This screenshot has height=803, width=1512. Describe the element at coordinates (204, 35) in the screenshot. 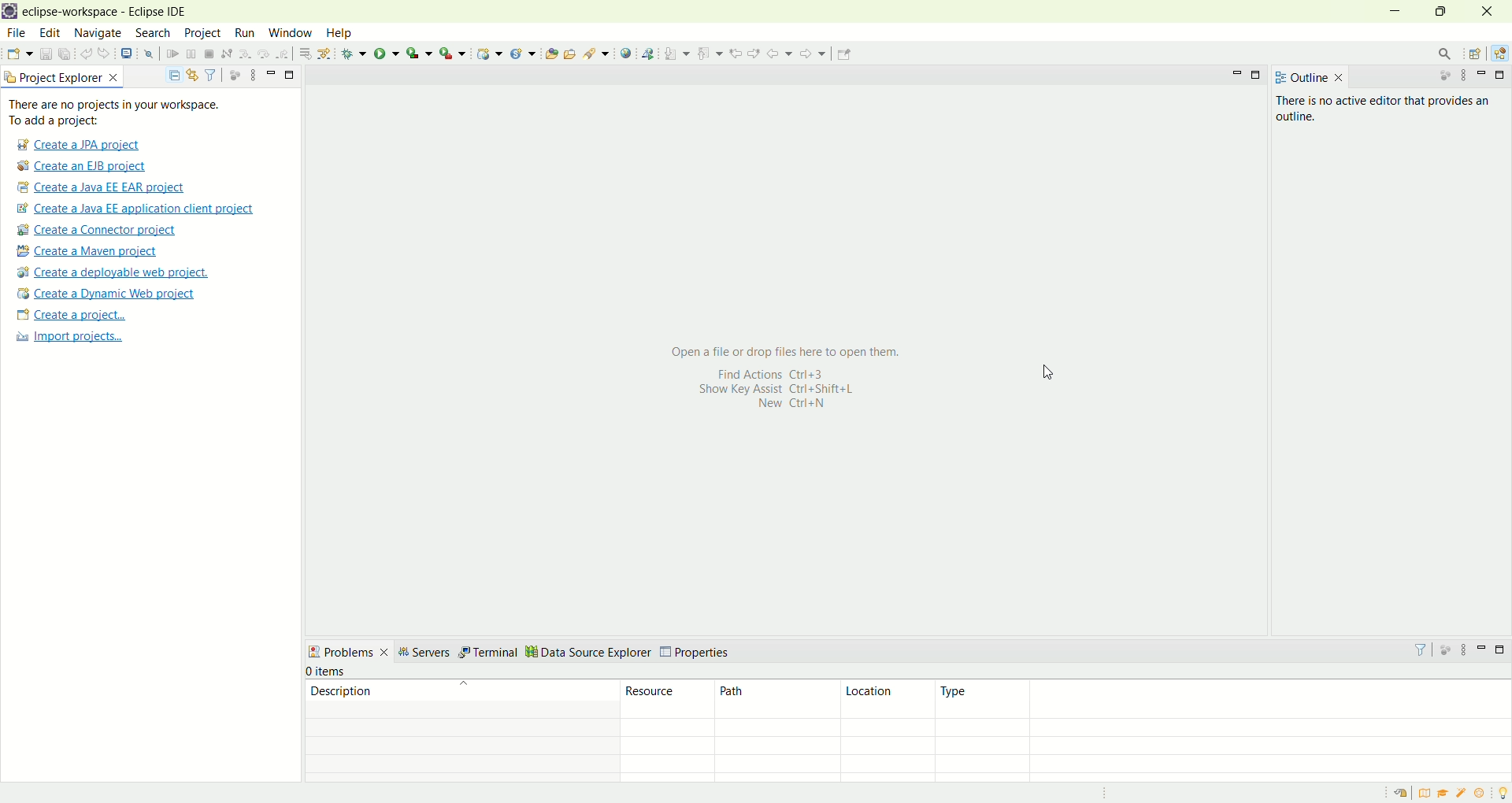

I see `project` at that location.